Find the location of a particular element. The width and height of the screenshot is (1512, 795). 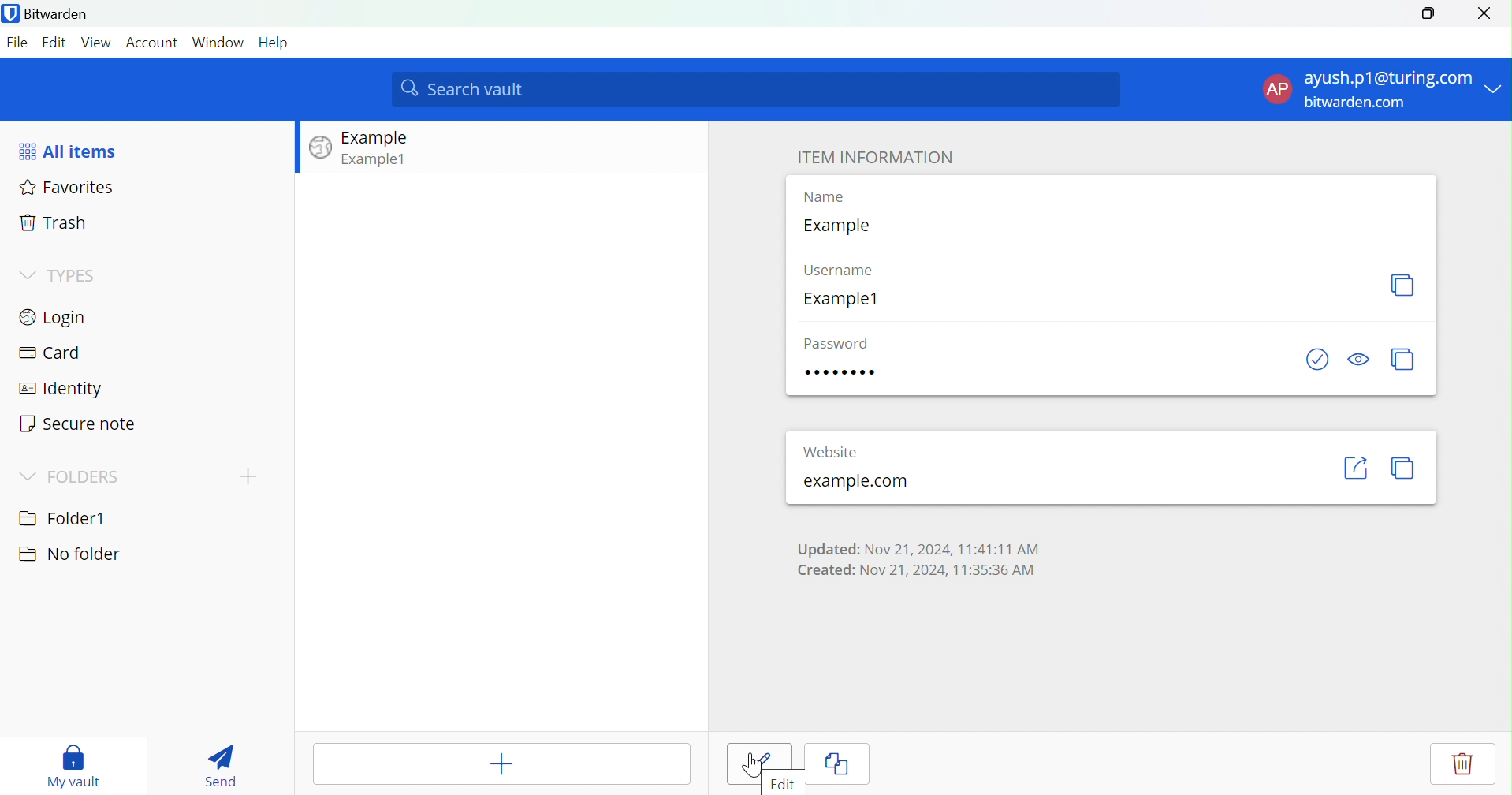

Copy URL is located at coordinates (1405, 468).